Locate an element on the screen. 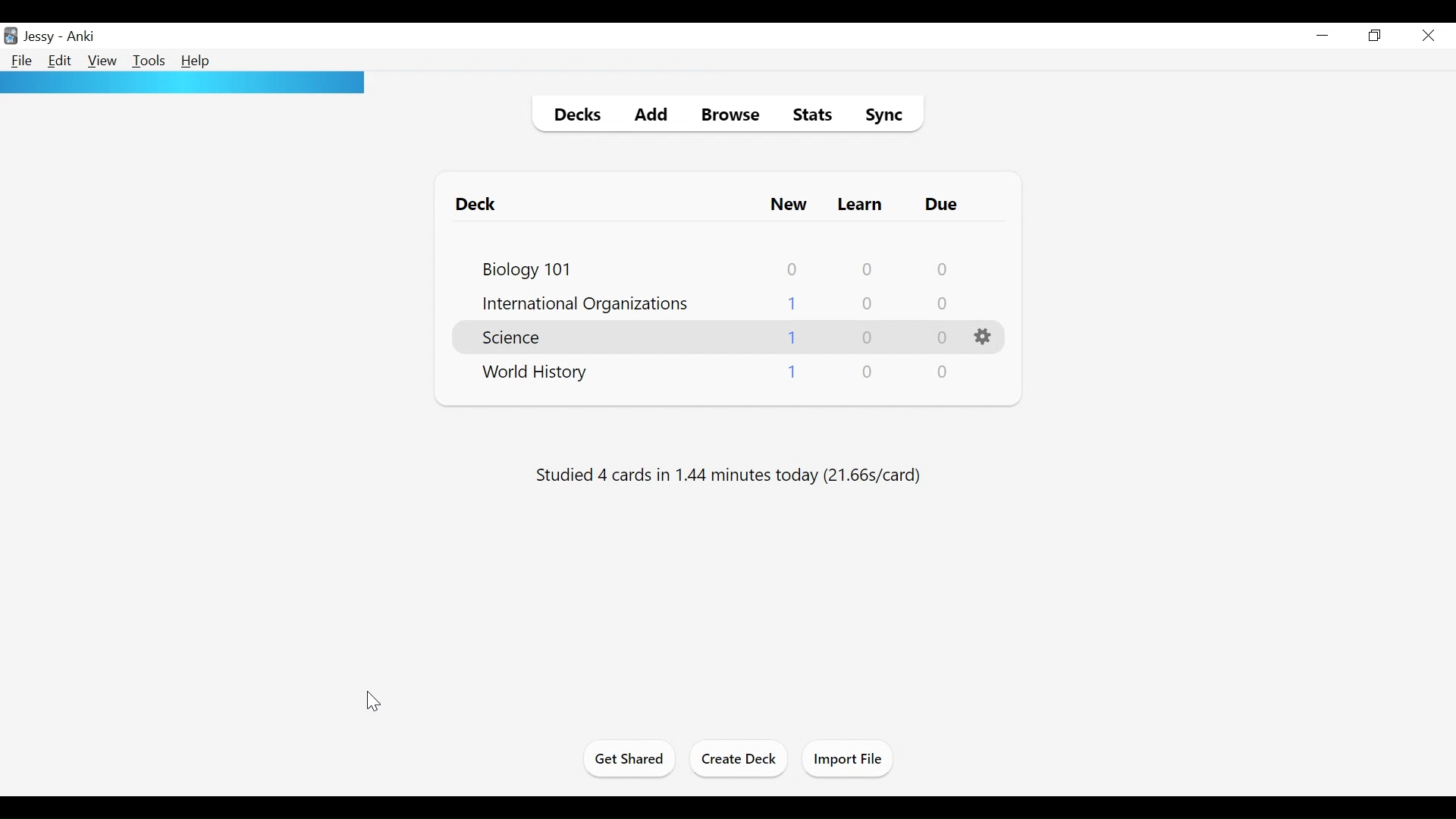  Add is located at coordinates (651, 113).